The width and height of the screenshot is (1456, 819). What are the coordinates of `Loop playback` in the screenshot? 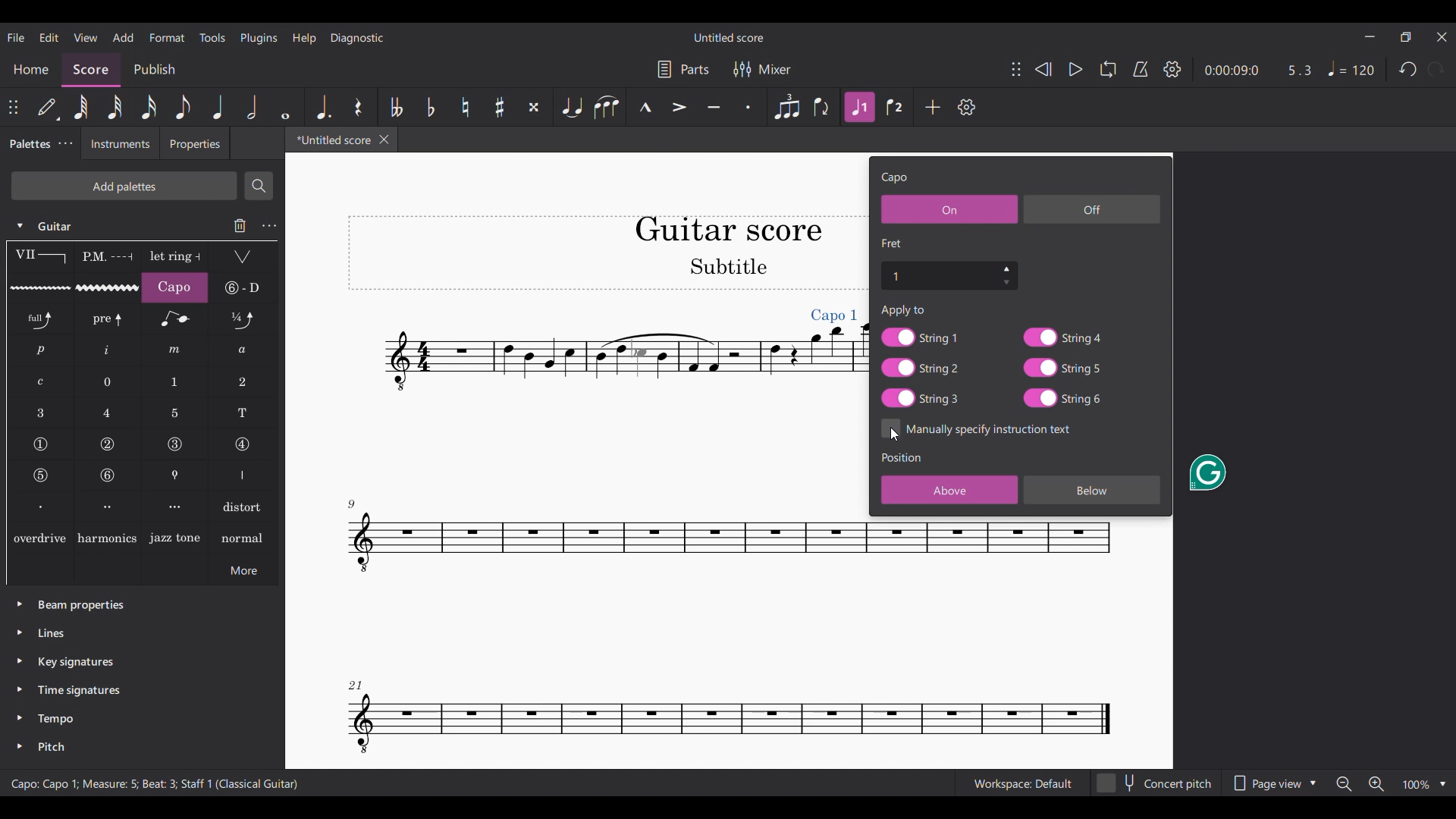 It's located at (1108, 69).